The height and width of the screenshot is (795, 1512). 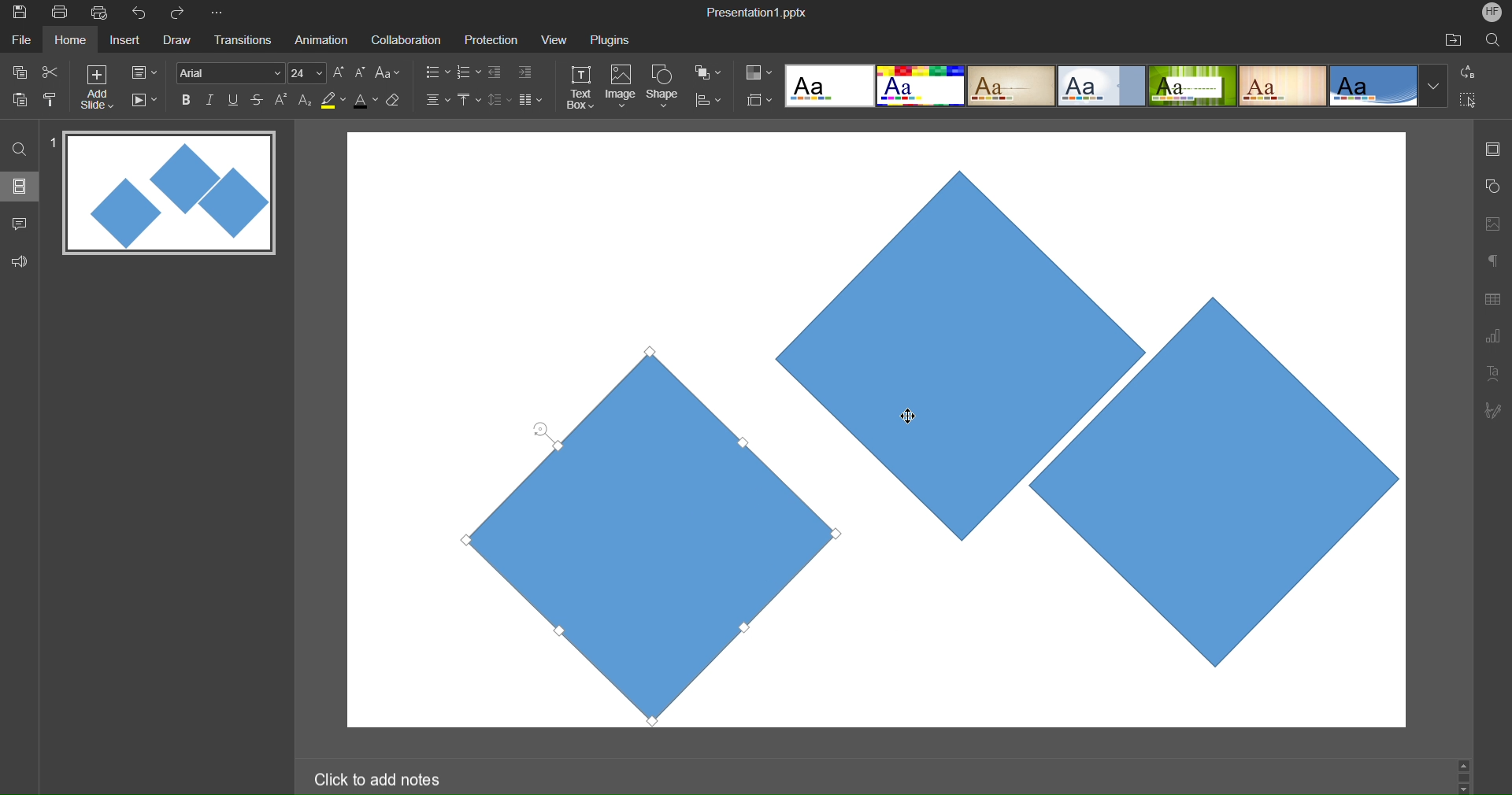 I want to click on Shape, so click(x=664, y=88).